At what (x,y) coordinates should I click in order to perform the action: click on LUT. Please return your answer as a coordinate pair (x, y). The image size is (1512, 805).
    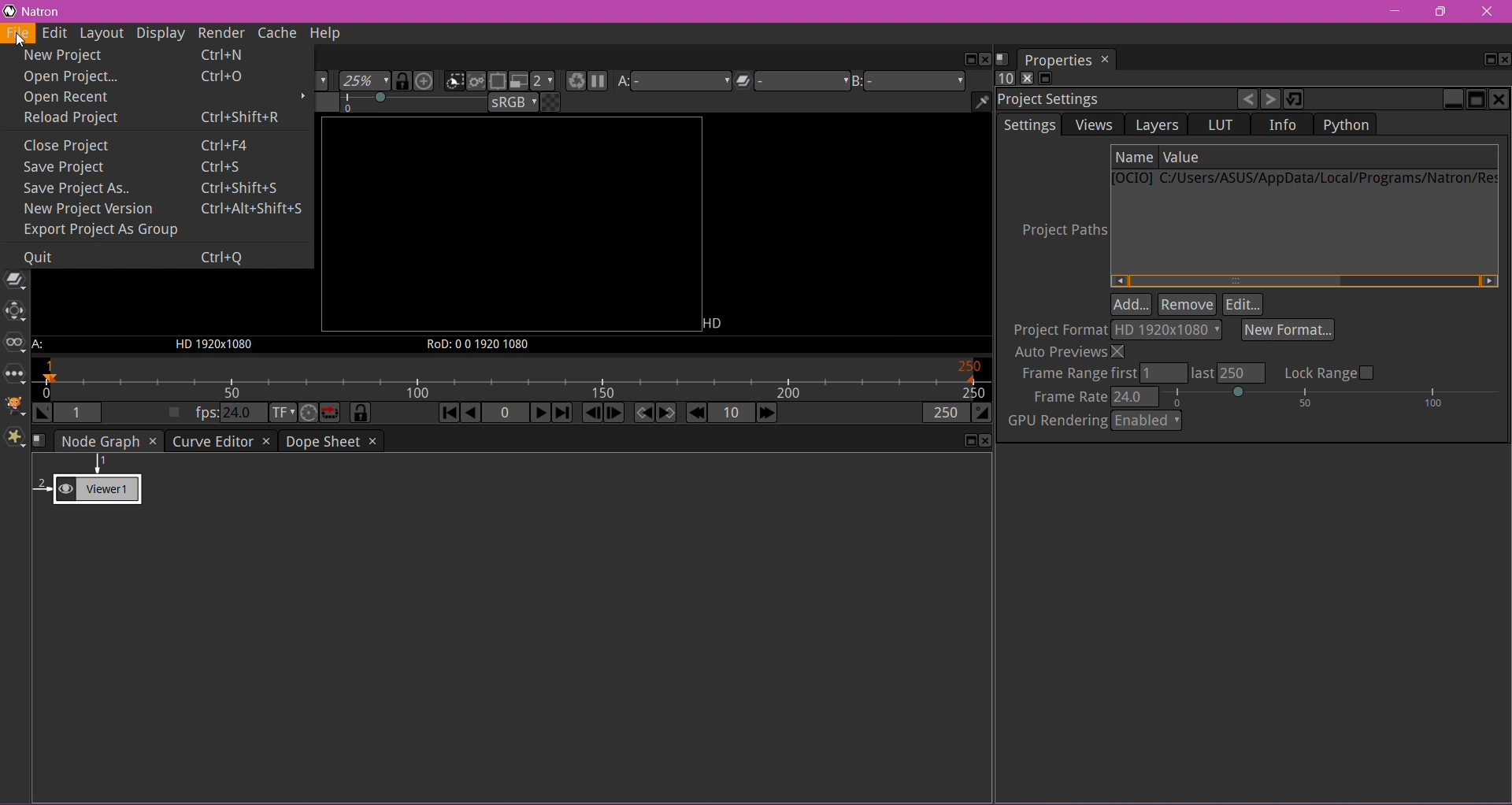
    Looking at the image, I should click on (1221, 124).